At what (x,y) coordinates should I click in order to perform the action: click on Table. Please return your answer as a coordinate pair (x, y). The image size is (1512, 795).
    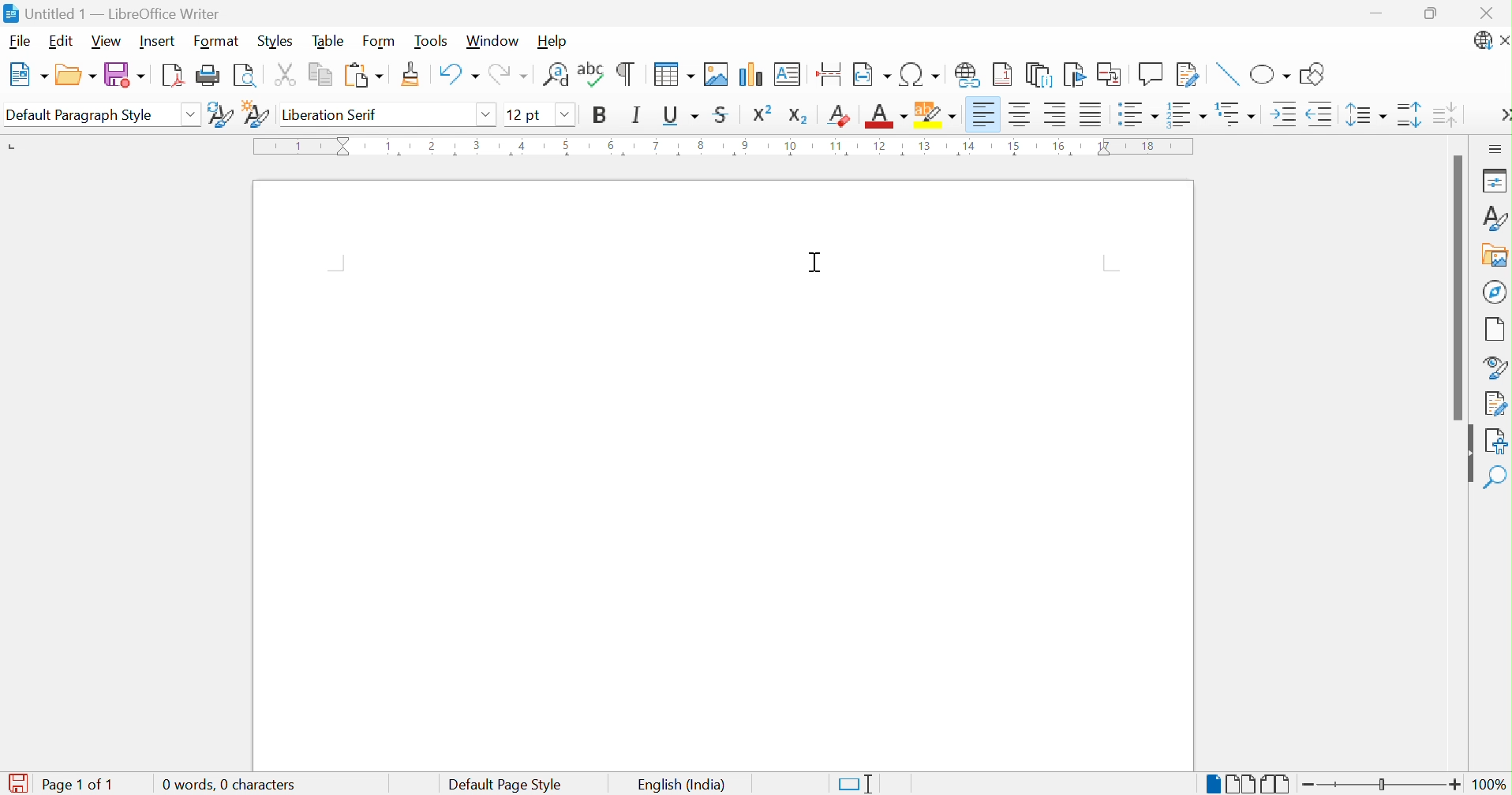
    Looking at the image, I should click on (331, 43).